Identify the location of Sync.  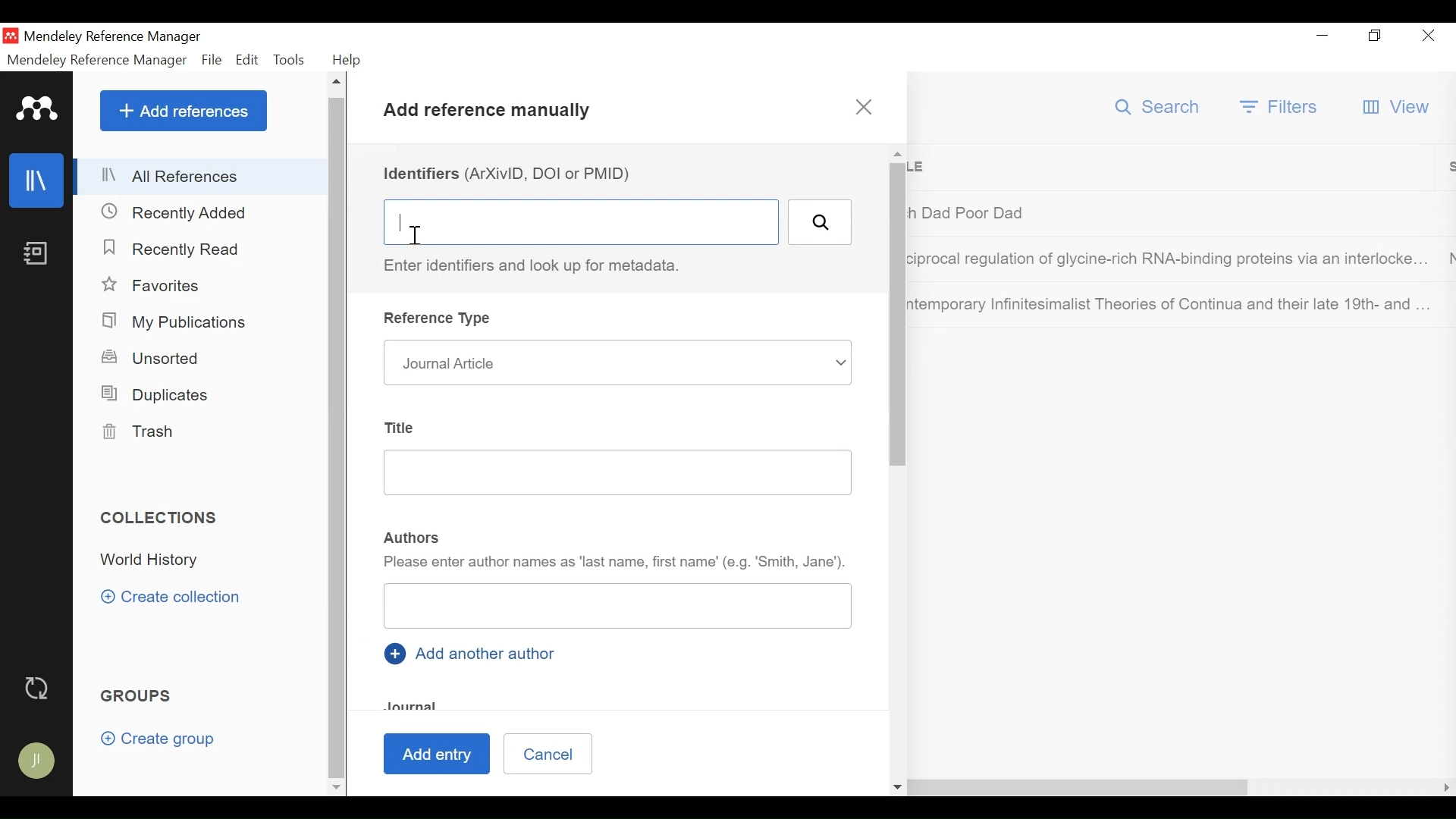
(36, 687).